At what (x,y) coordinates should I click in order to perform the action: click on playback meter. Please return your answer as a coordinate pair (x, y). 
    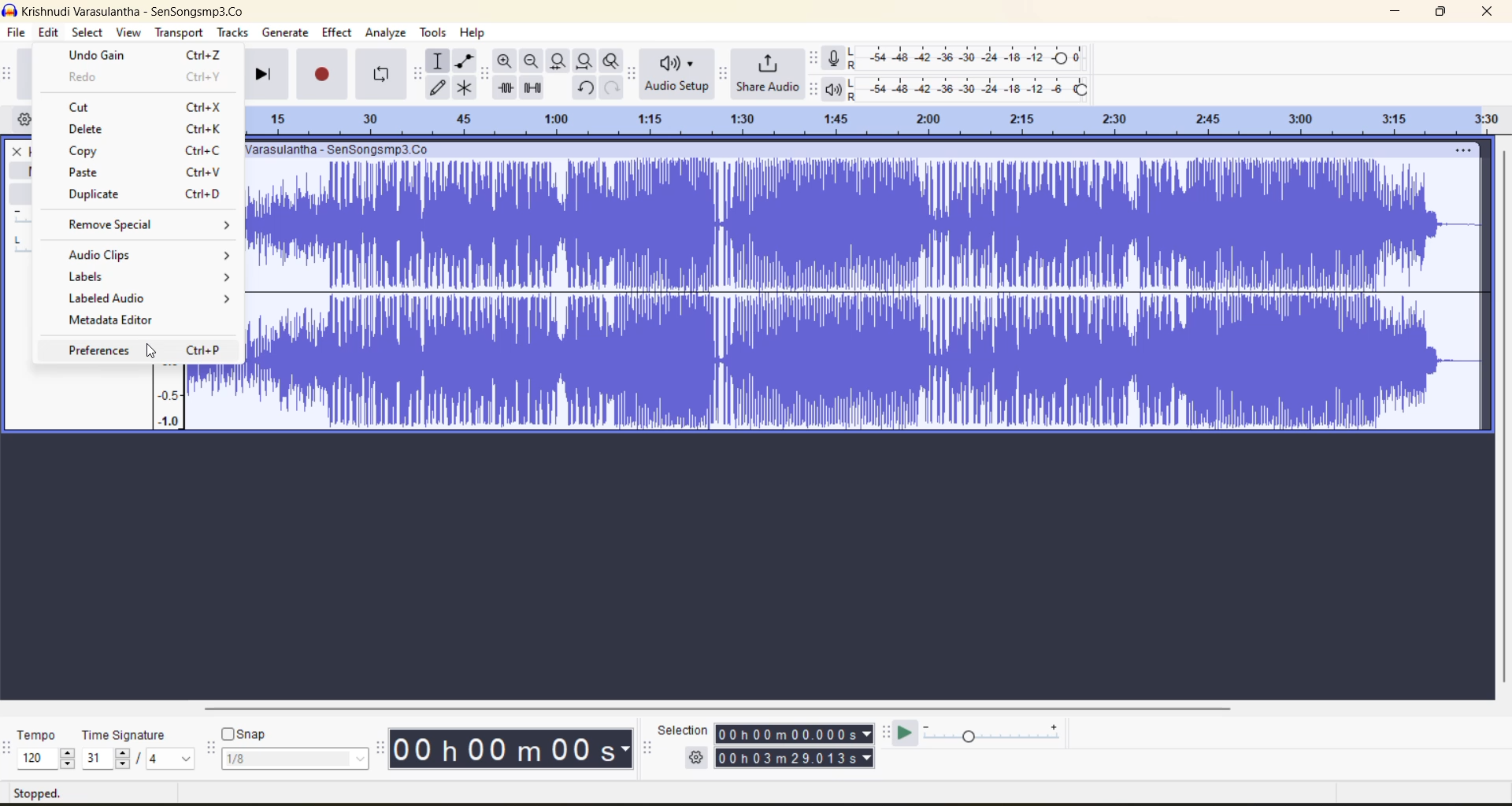
    Looking at the image, I should click on (835, 88).